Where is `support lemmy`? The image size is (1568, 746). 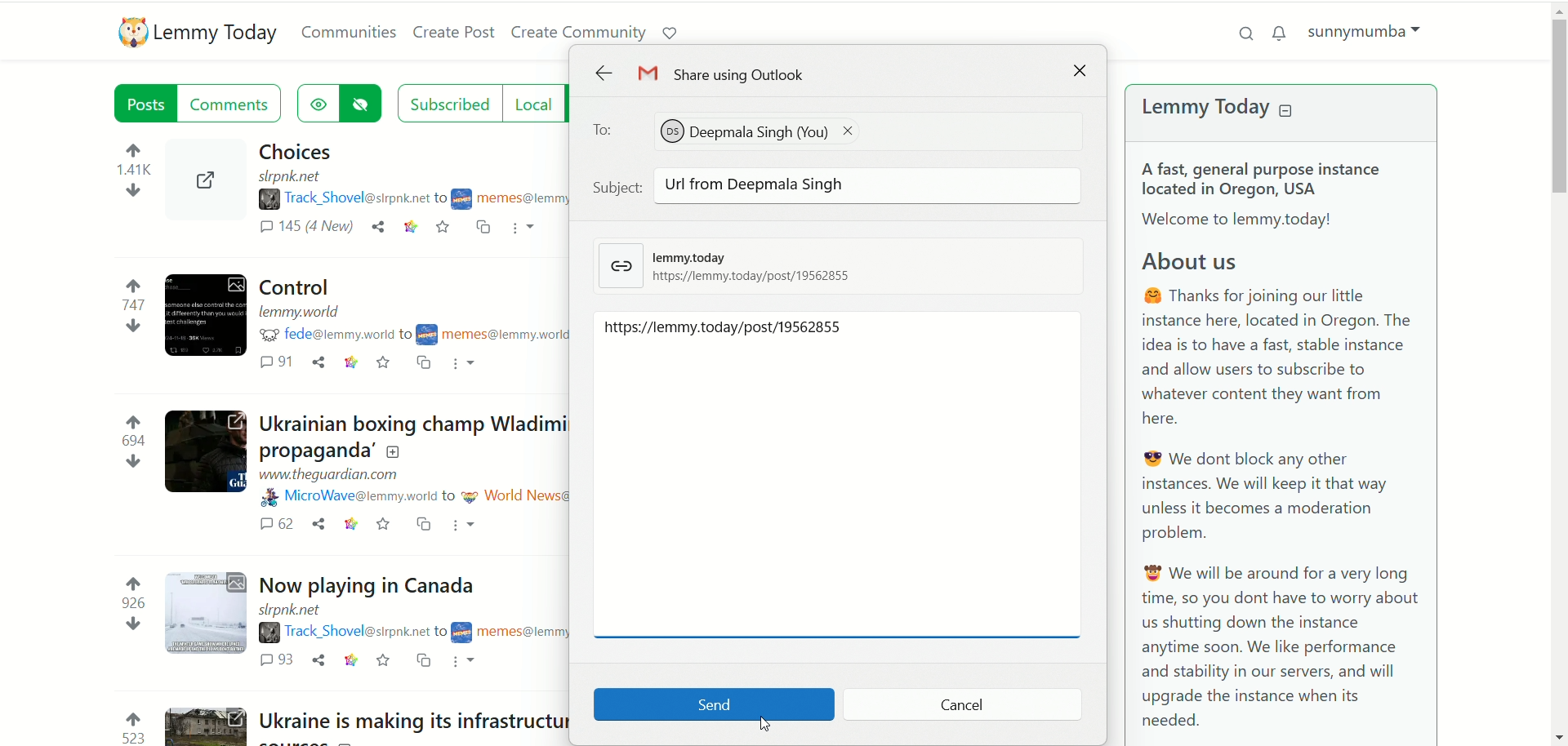 support lemmy is located at coordinates (669, 32).